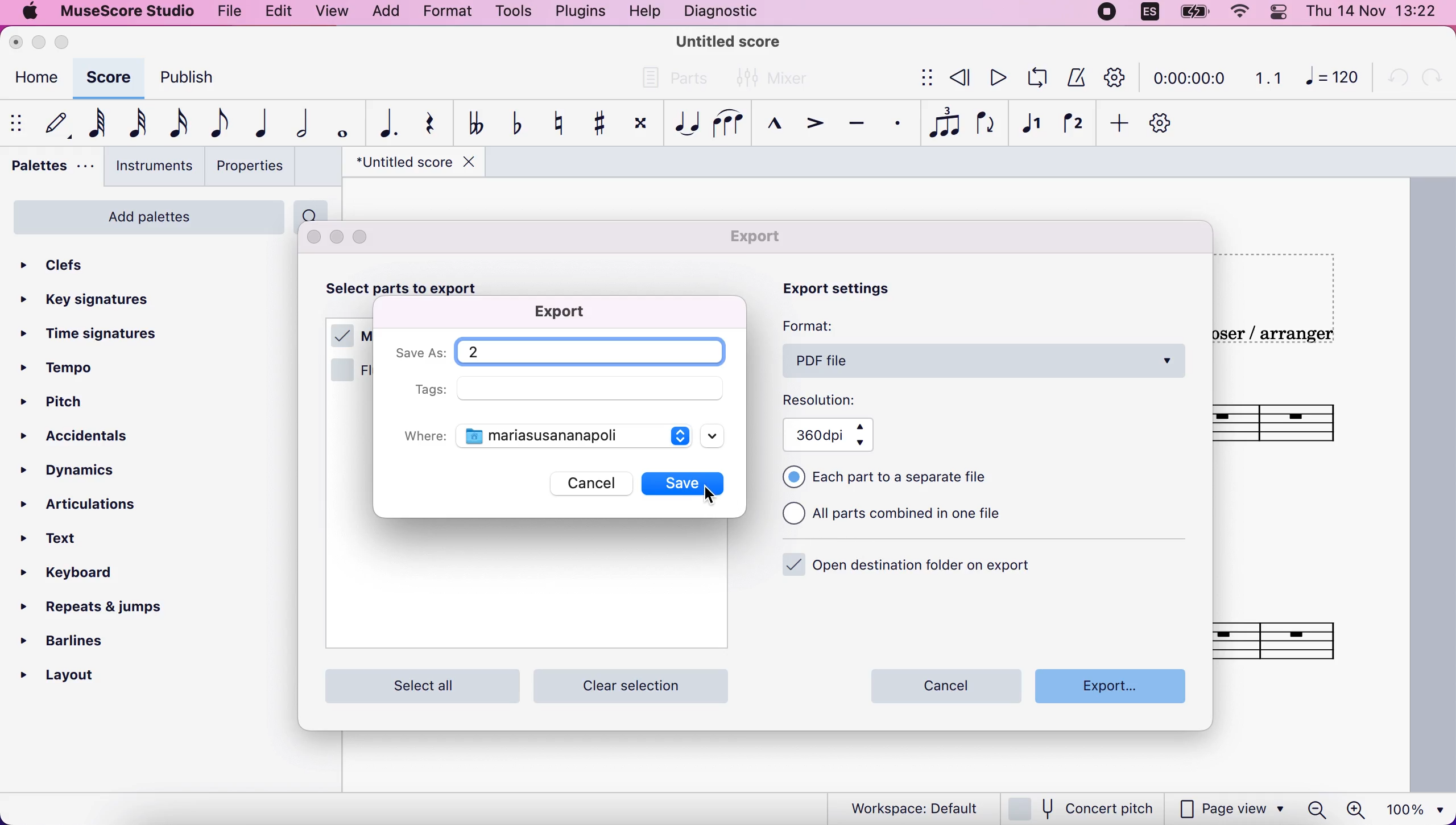 Image resolution: width=1456 pixels, height=825 pixels. Describe the element at coordinates (135, 122) in the screenshot. I see `32nd note` at that location.